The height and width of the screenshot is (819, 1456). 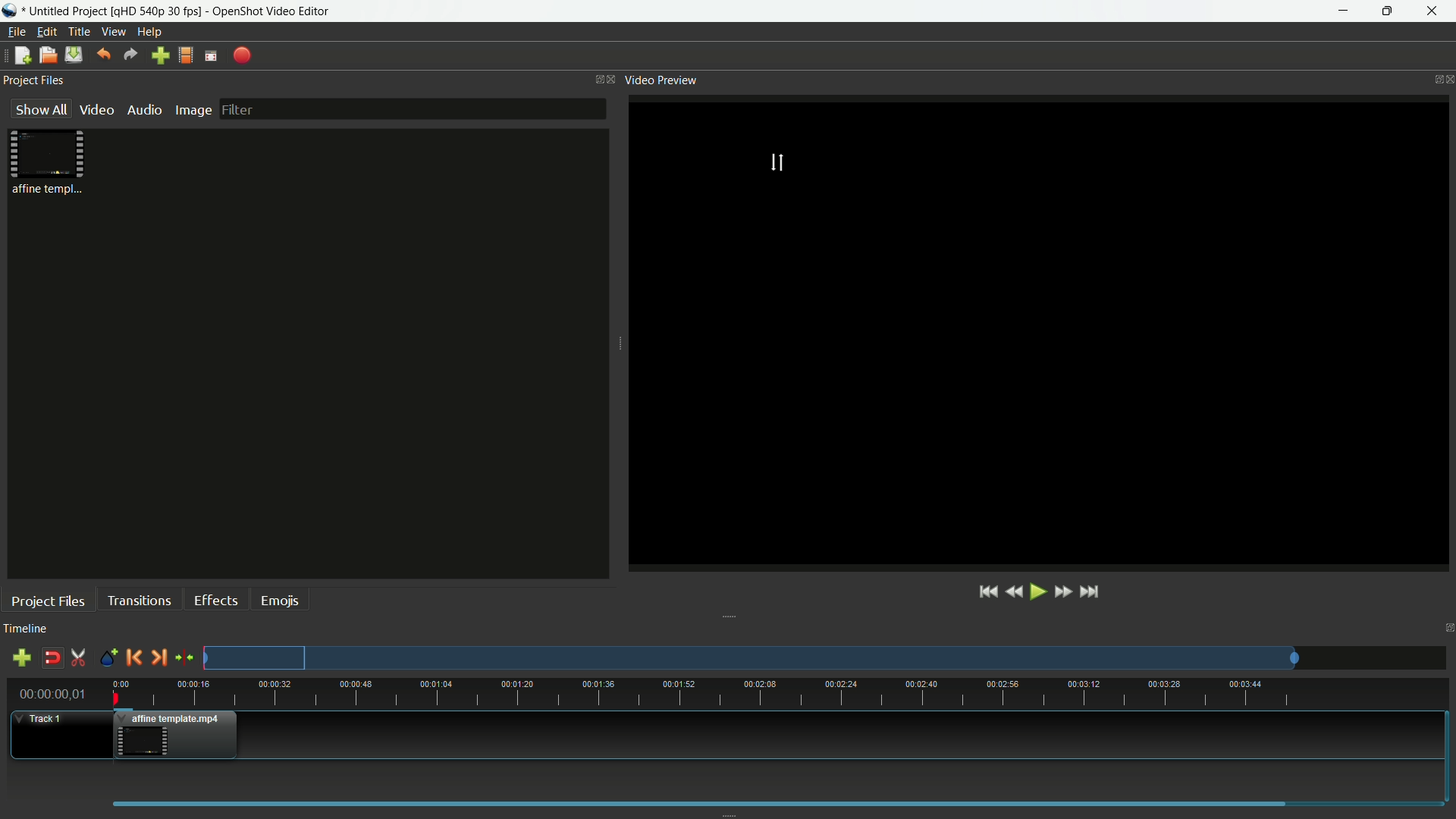 What do you see at coordinates (781, 162) in the screenshot?
I see `cursor` at bounding box center [781, 162].